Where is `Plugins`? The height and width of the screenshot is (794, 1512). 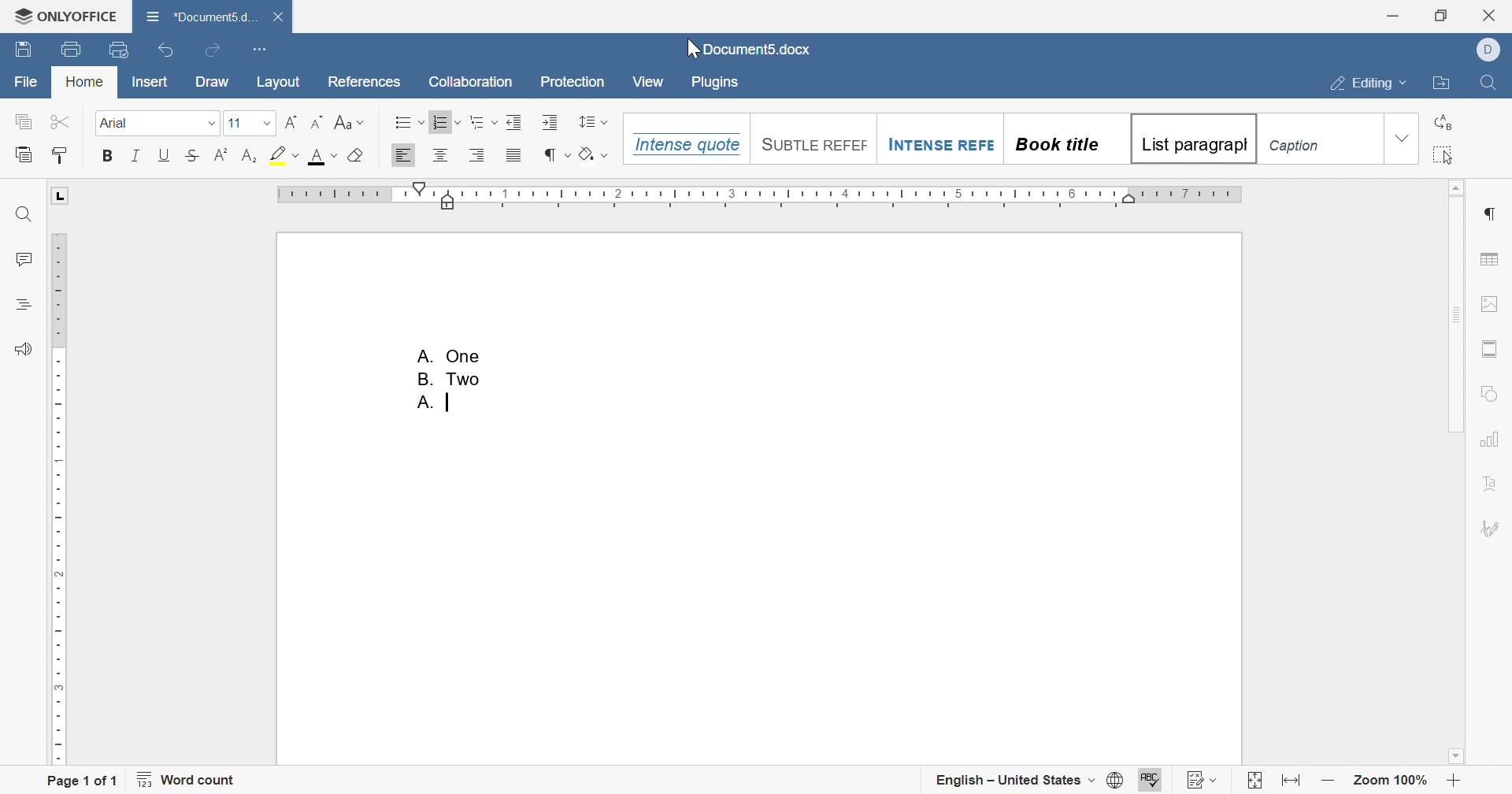
Plugins is located at coordinates (713, 83).